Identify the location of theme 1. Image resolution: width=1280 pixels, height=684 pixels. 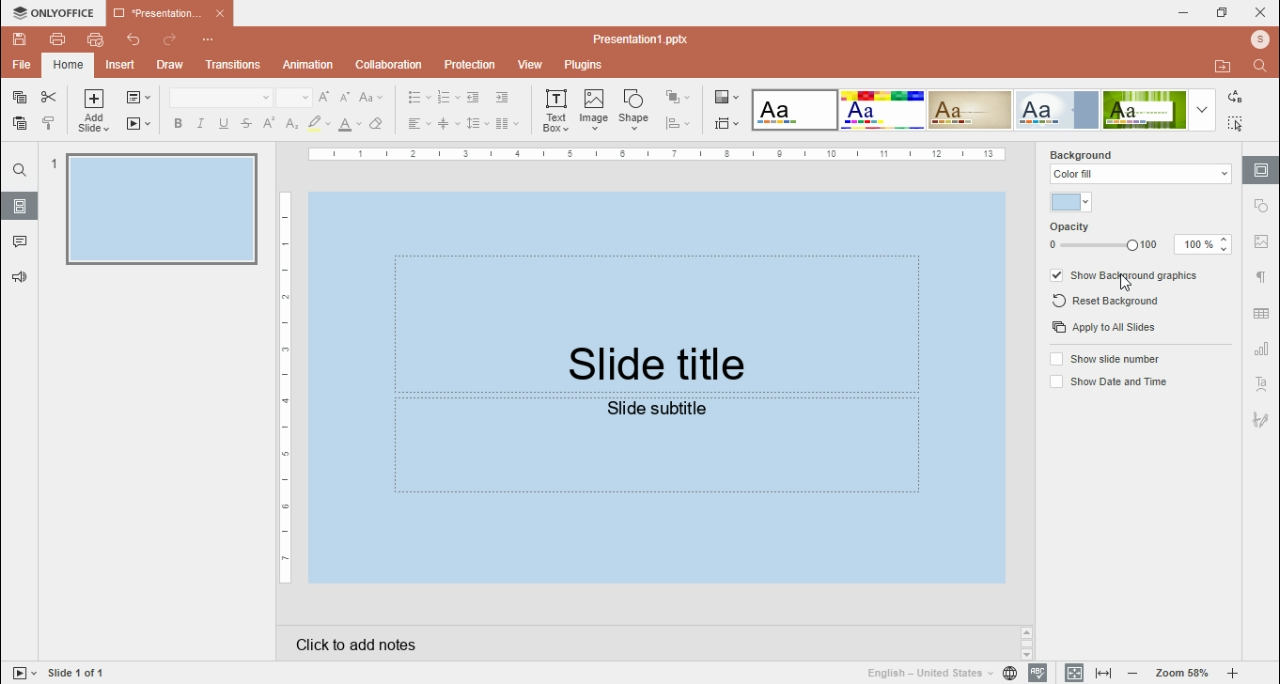
(792, 110).